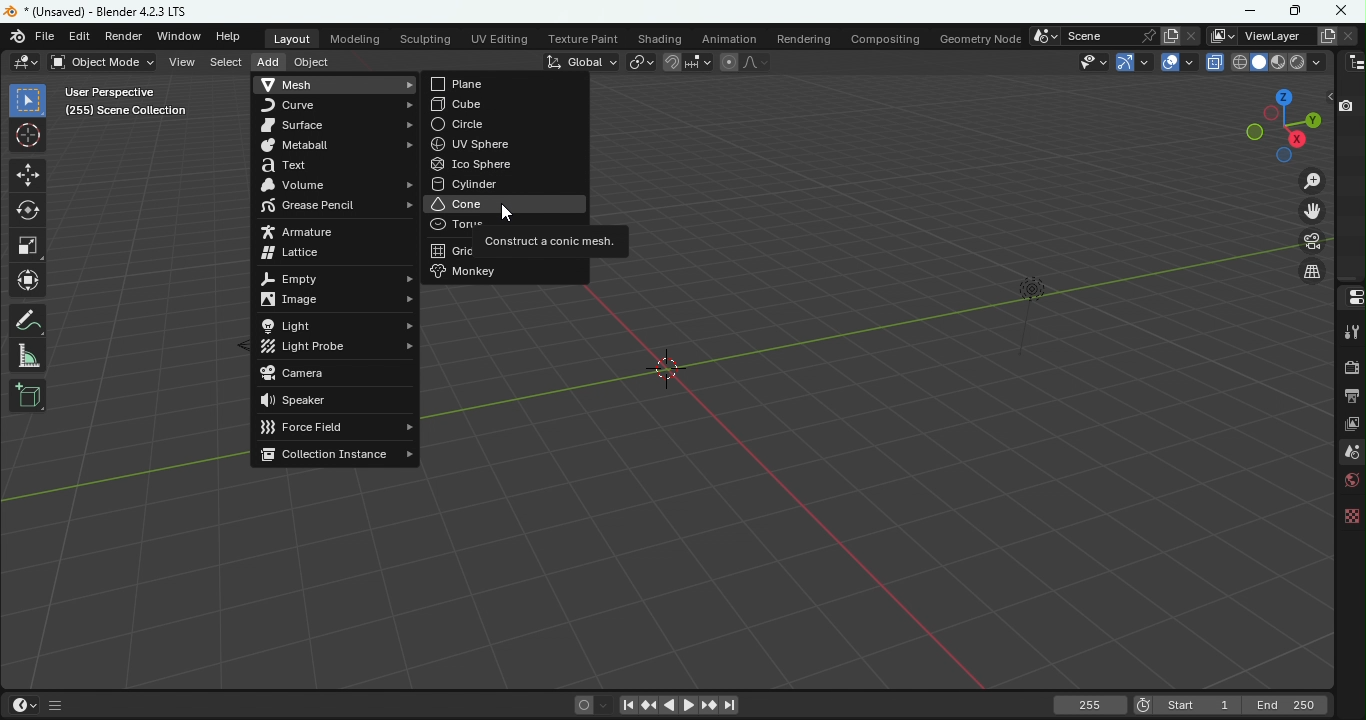  Describe the element at coordinates (506, 205) in the screenshot. I see `Cone` at that location.